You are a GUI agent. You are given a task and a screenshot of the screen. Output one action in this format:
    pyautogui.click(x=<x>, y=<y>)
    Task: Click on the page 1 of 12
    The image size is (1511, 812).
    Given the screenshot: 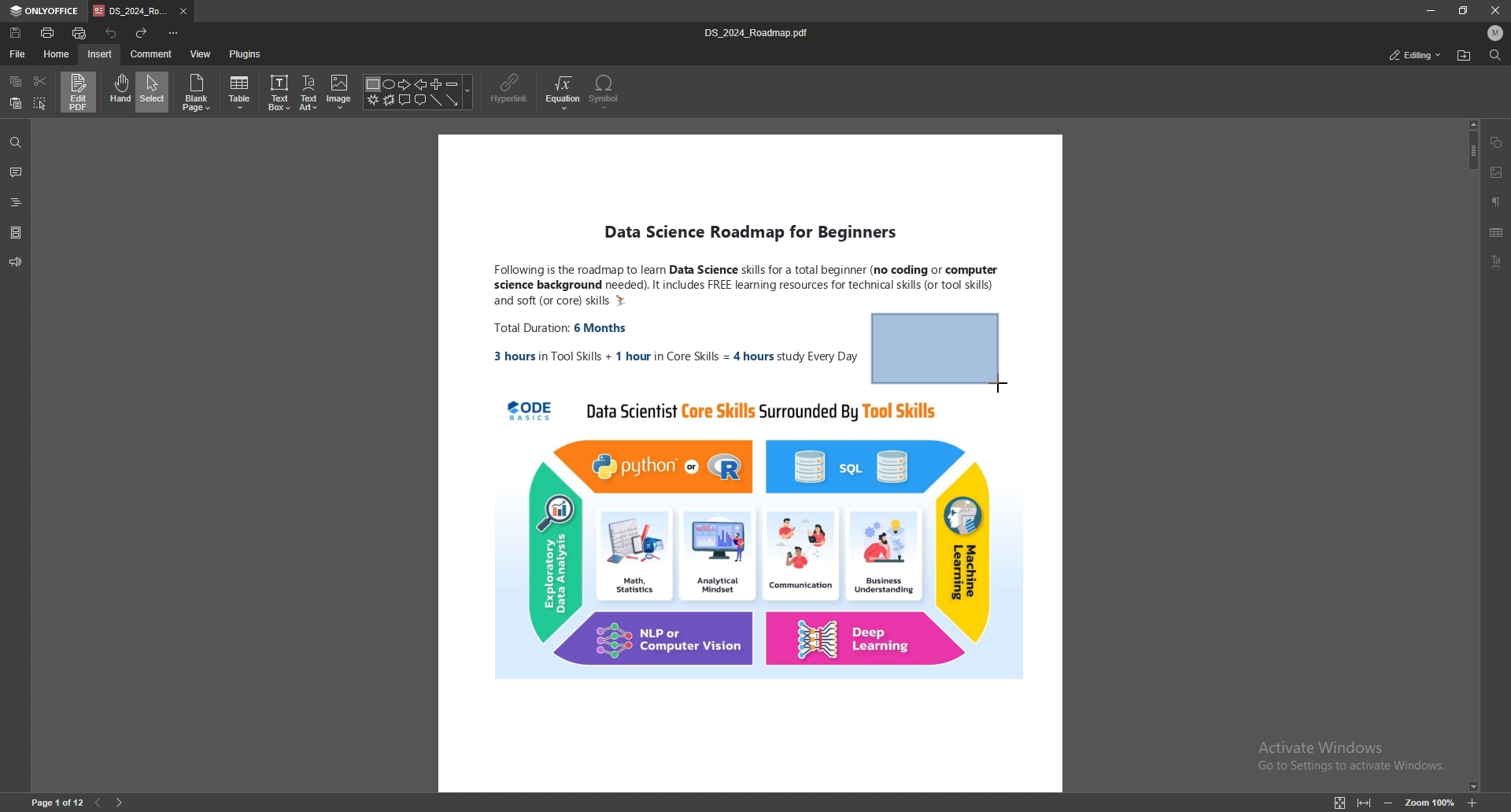 What is the action you would take?
    pyautogui.click(x=52, y=802)
    